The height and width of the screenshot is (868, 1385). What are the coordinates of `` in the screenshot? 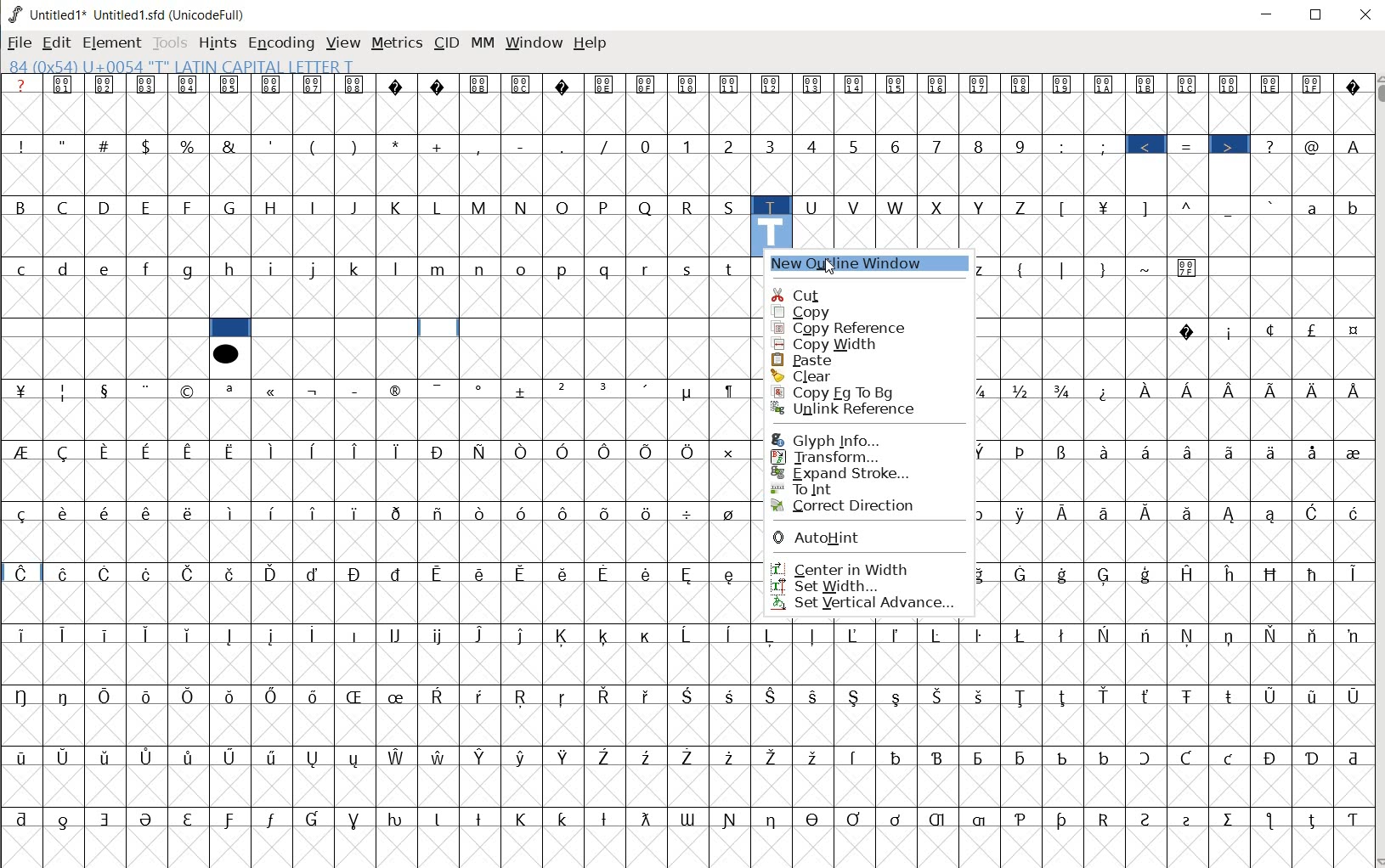 It's located at (356, 757).